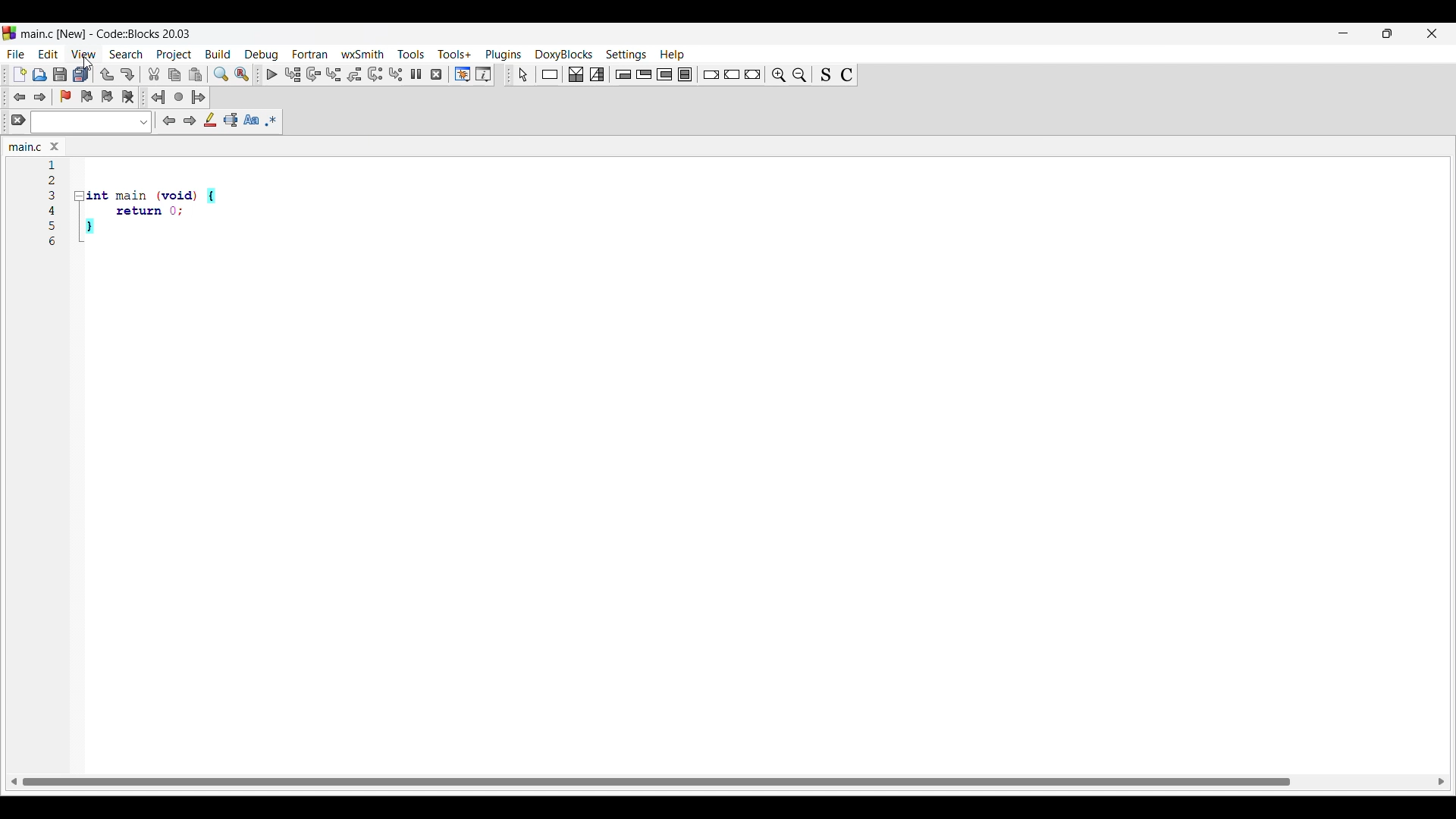 The height and width of the screenshot is (819, 1456). Describe the element at coordinates (159, 97) in the screenshot. I see `Jump back` at that location.